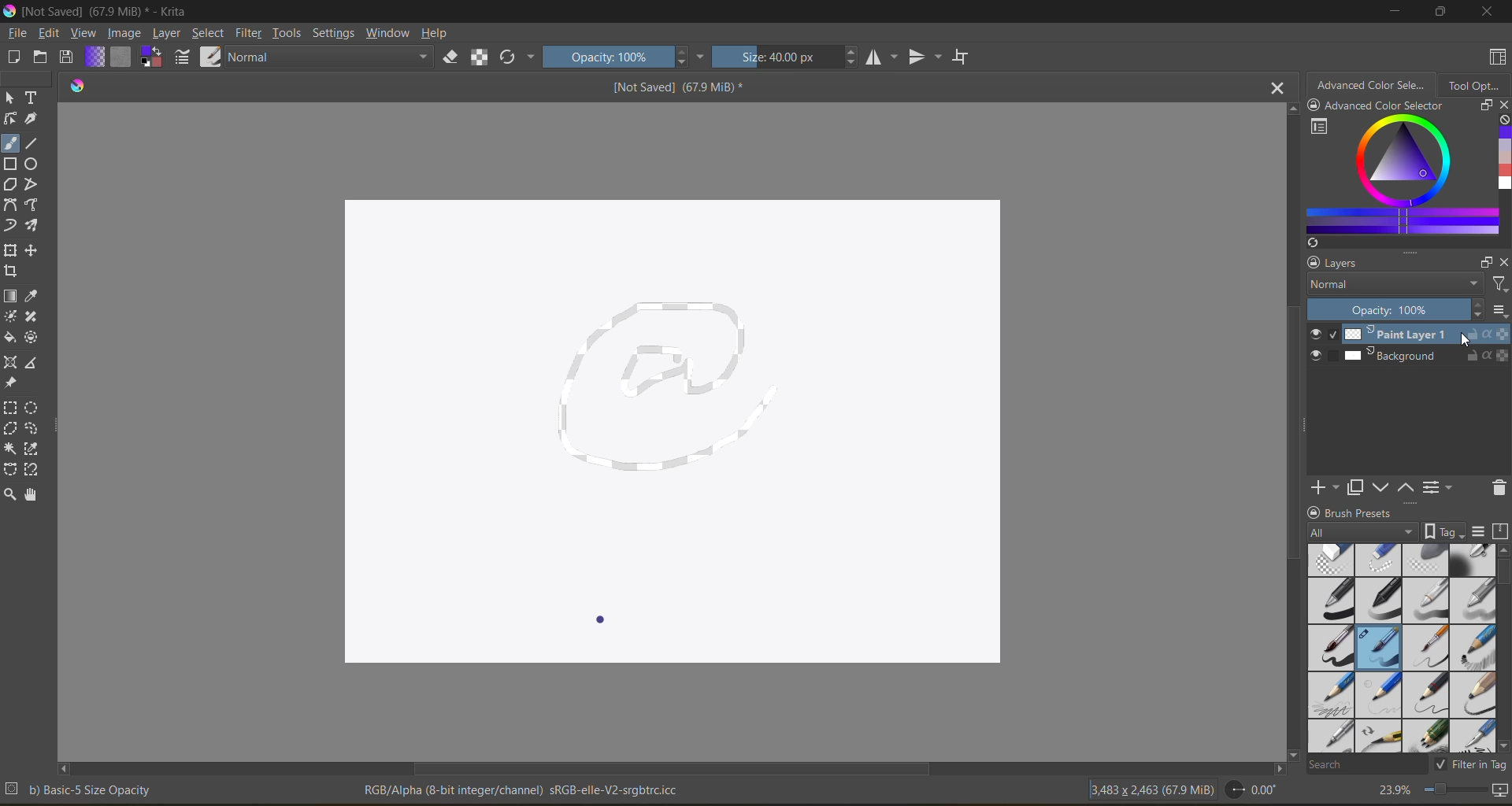  Describe the element at coordinates (1428, 695) in the screenshot. I see `pencil` at that location.